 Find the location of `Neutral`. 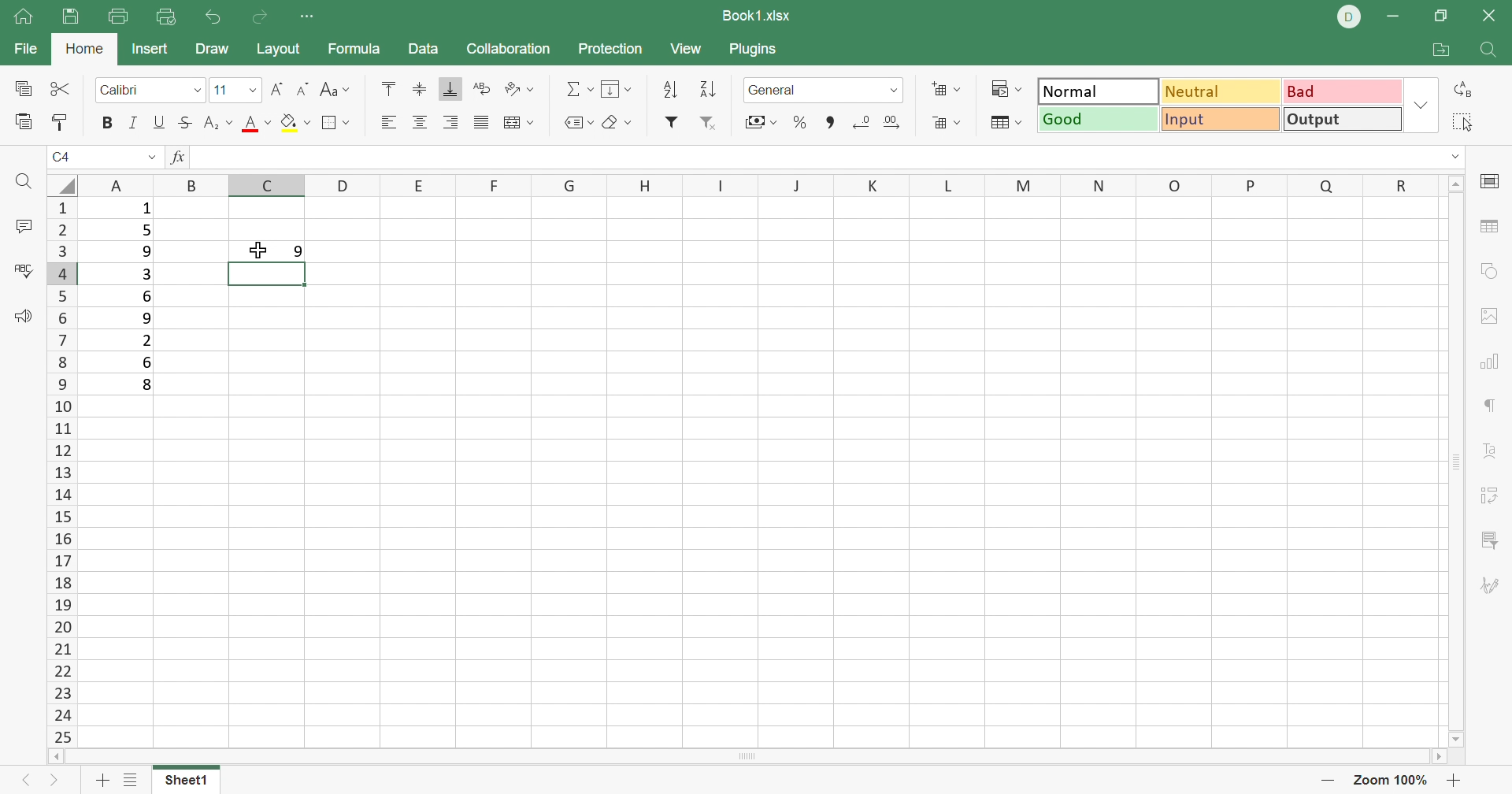

Neutral is located at coordinates (1221, 91).